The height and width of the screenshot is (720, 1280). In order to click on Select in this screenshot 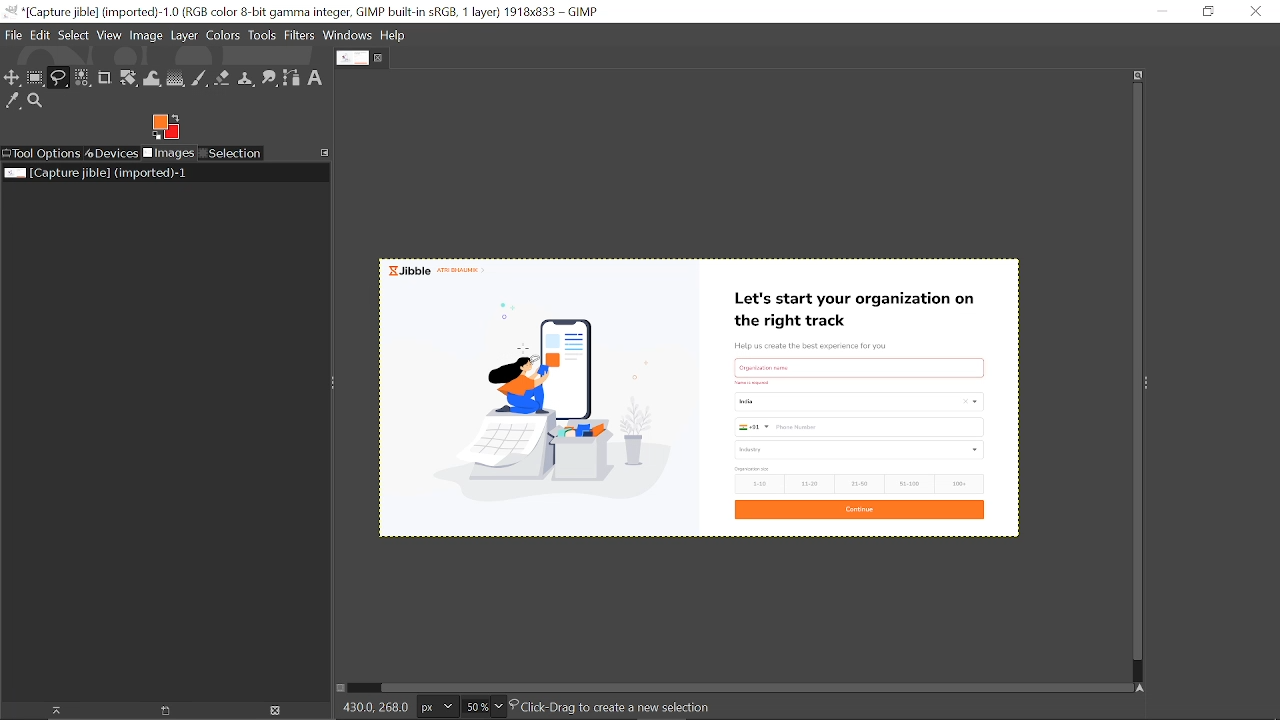, I will do `click(74, 35)`.